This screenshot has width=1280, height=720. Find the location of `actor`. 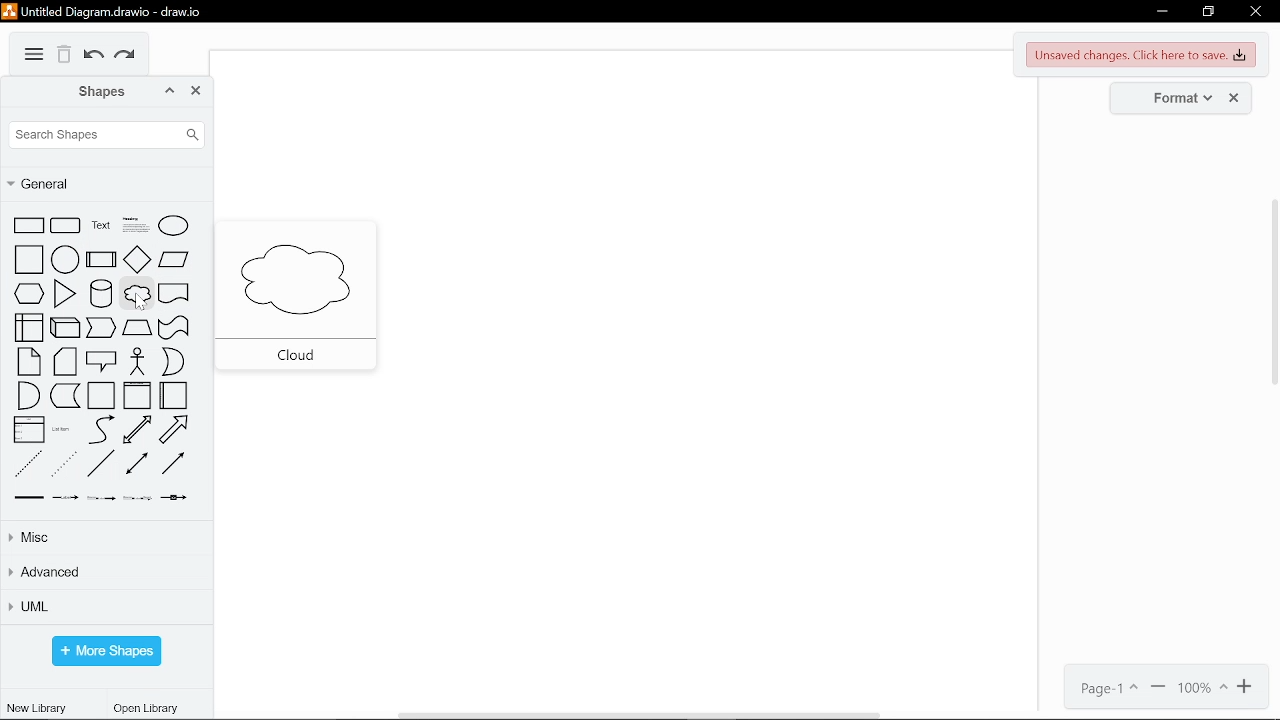

actor is located at coordinates (138, 362).